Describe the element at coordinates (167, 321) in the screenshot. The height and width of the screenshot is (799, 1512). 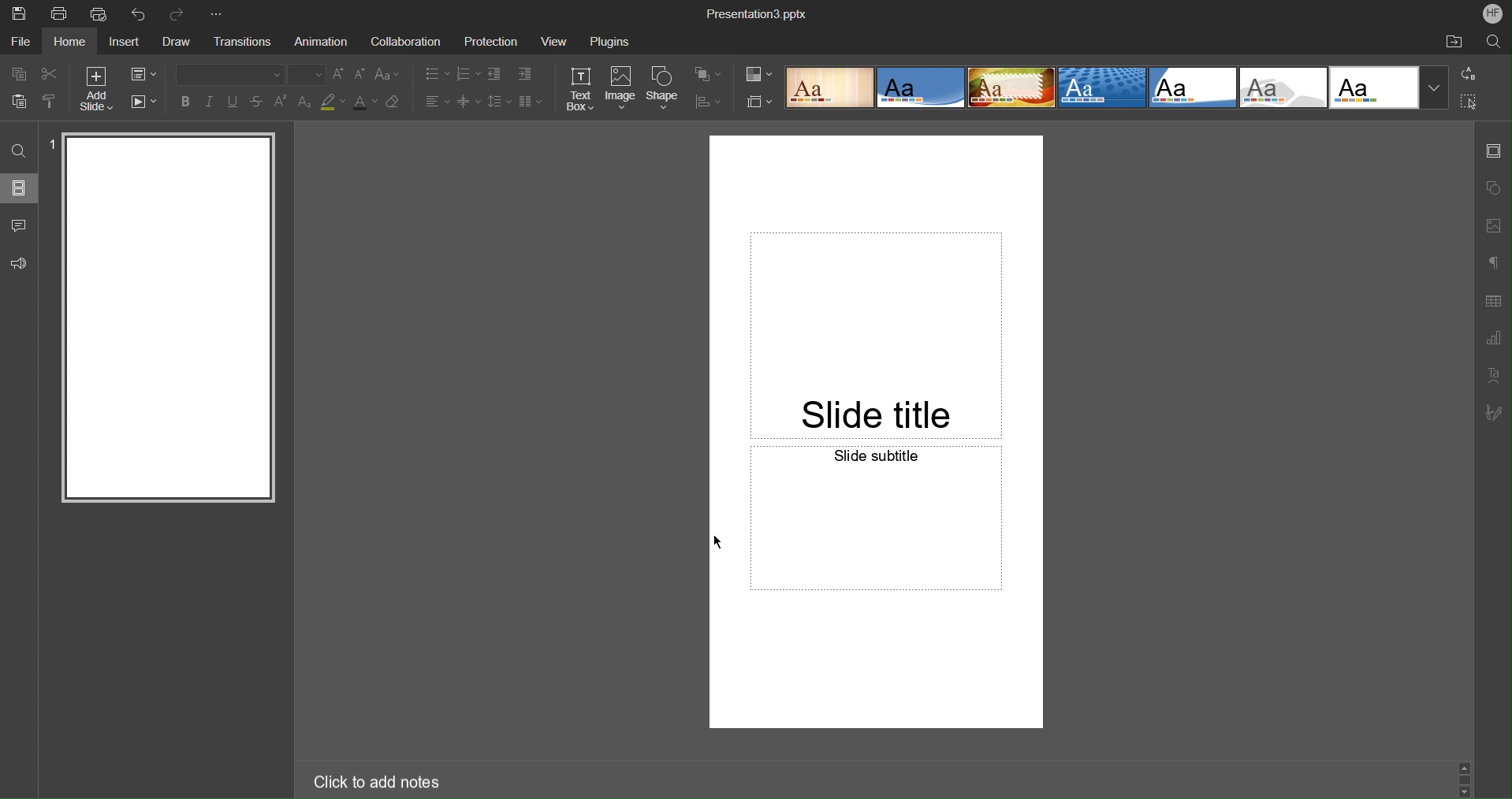
I see `Slide 1 (portrait)` at that location.